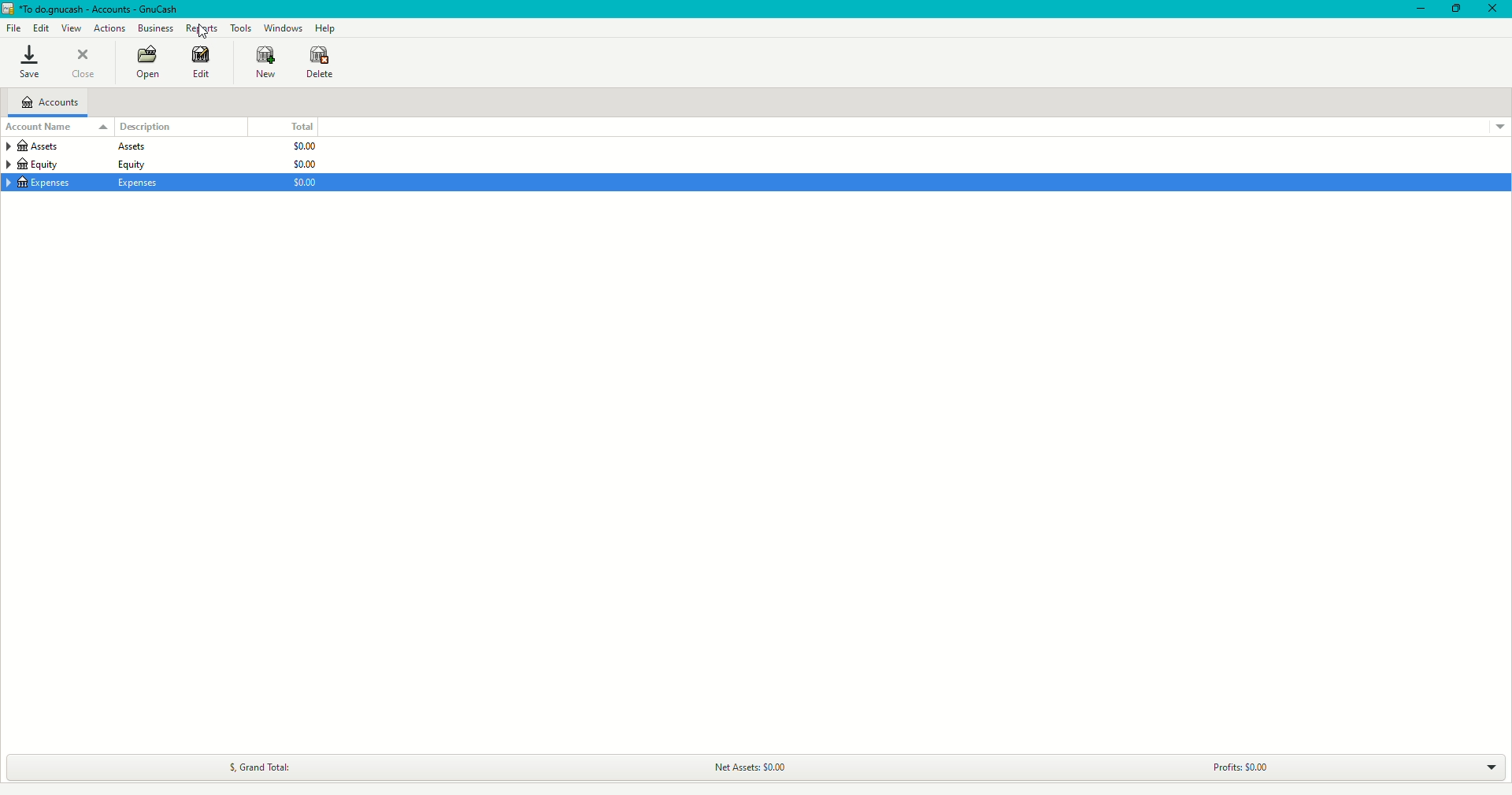 The height and width of the screenshot is (795, 1512). Describe the element at coordinates (111, 28) in the screenshot. I see `Actions` at that location.